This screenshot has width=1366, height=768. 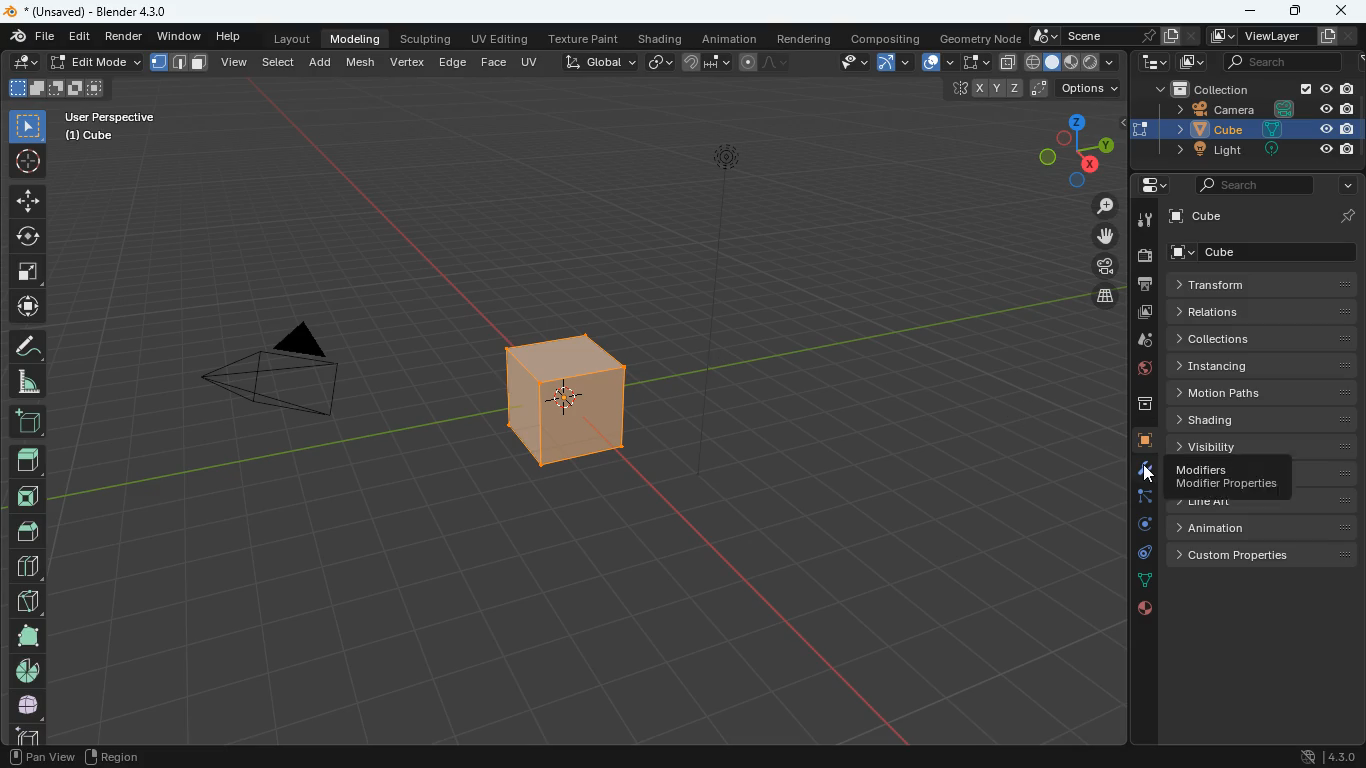 What do you see at coordinates (1268, 419) in the screenshot?
I see `shading` at bounding box center [1268, 419].